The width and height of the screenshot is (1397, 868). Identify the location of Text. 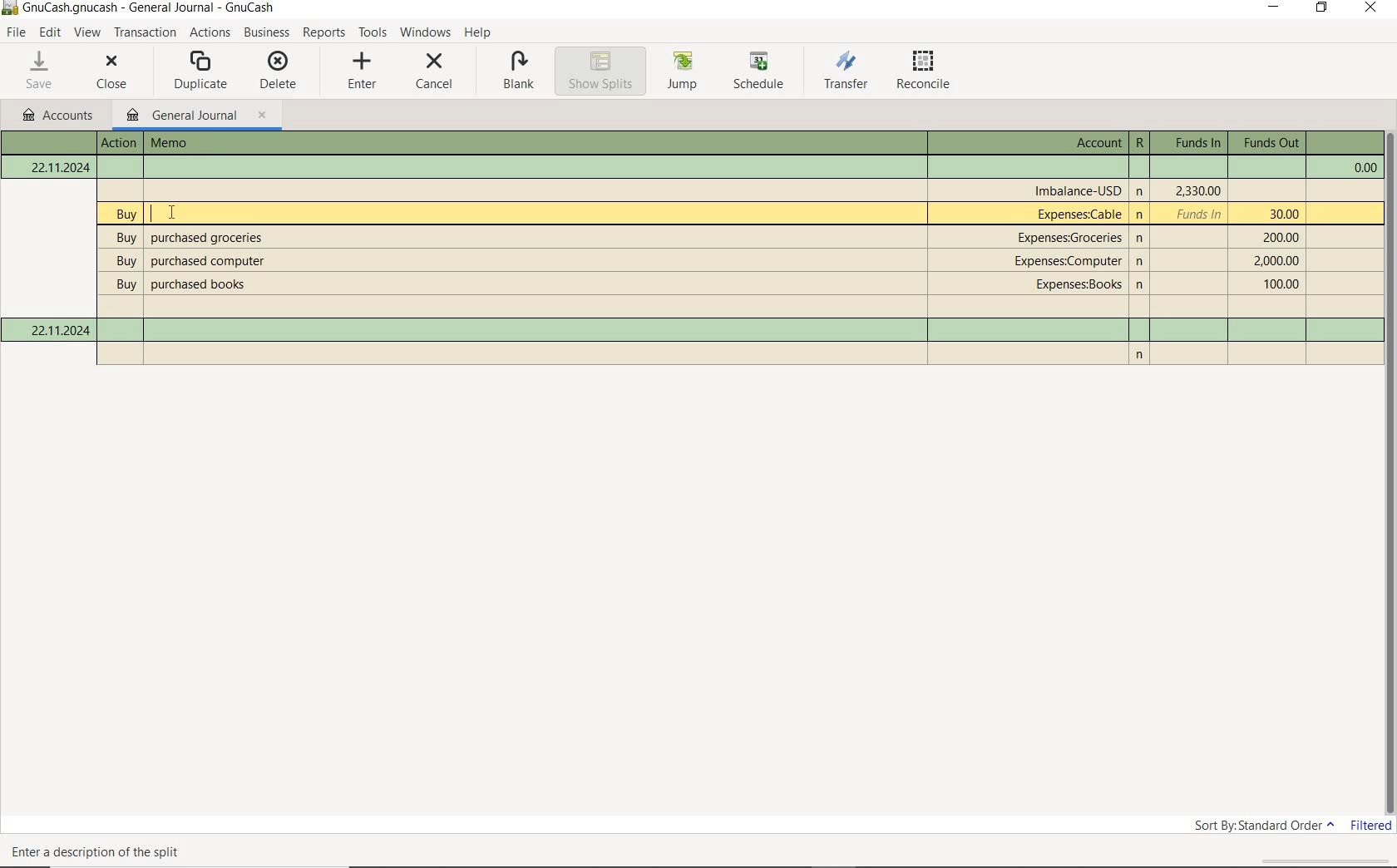
(243, 143).